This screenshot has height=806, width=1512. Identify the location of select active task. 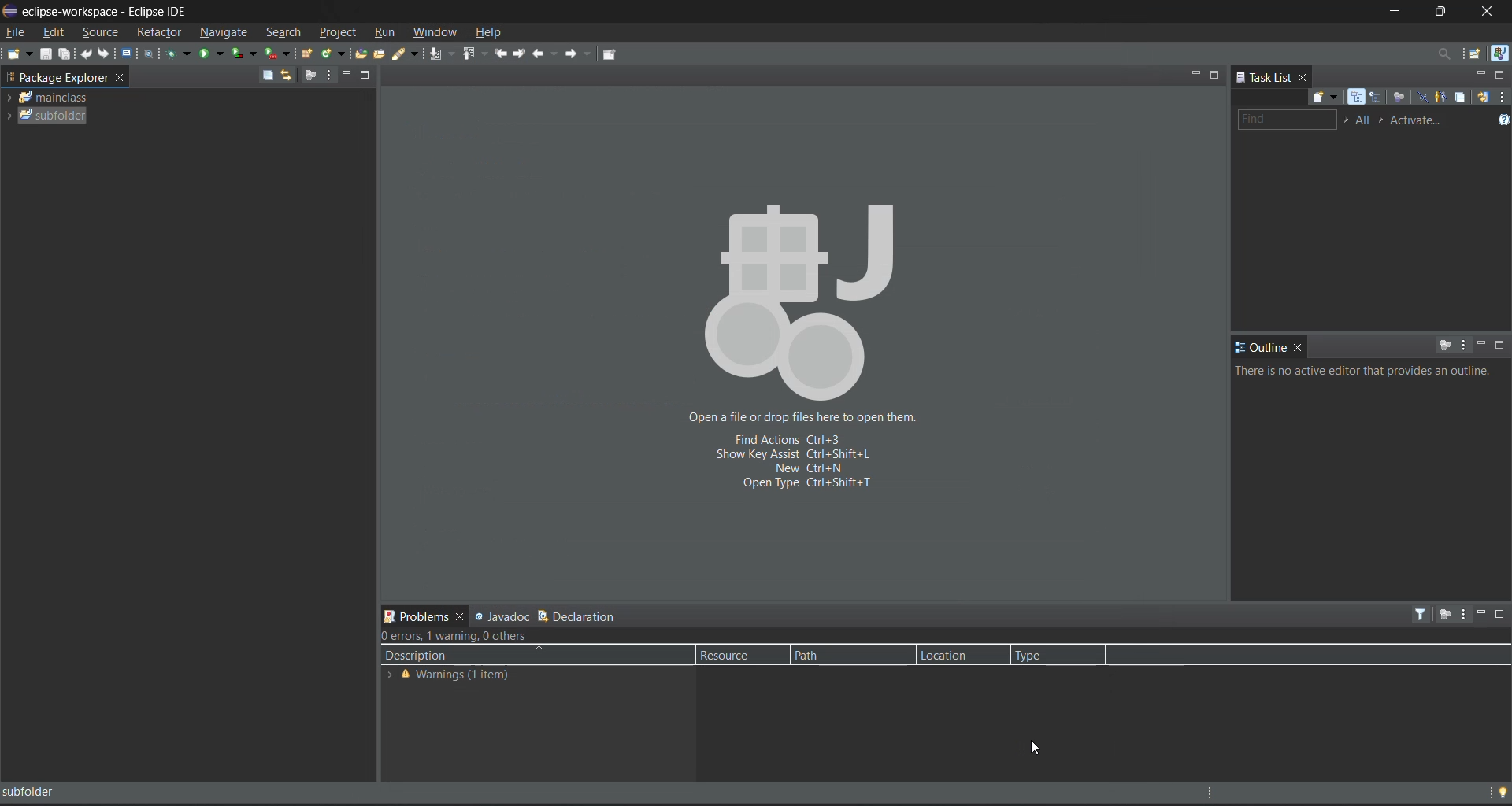
(1384, 121).